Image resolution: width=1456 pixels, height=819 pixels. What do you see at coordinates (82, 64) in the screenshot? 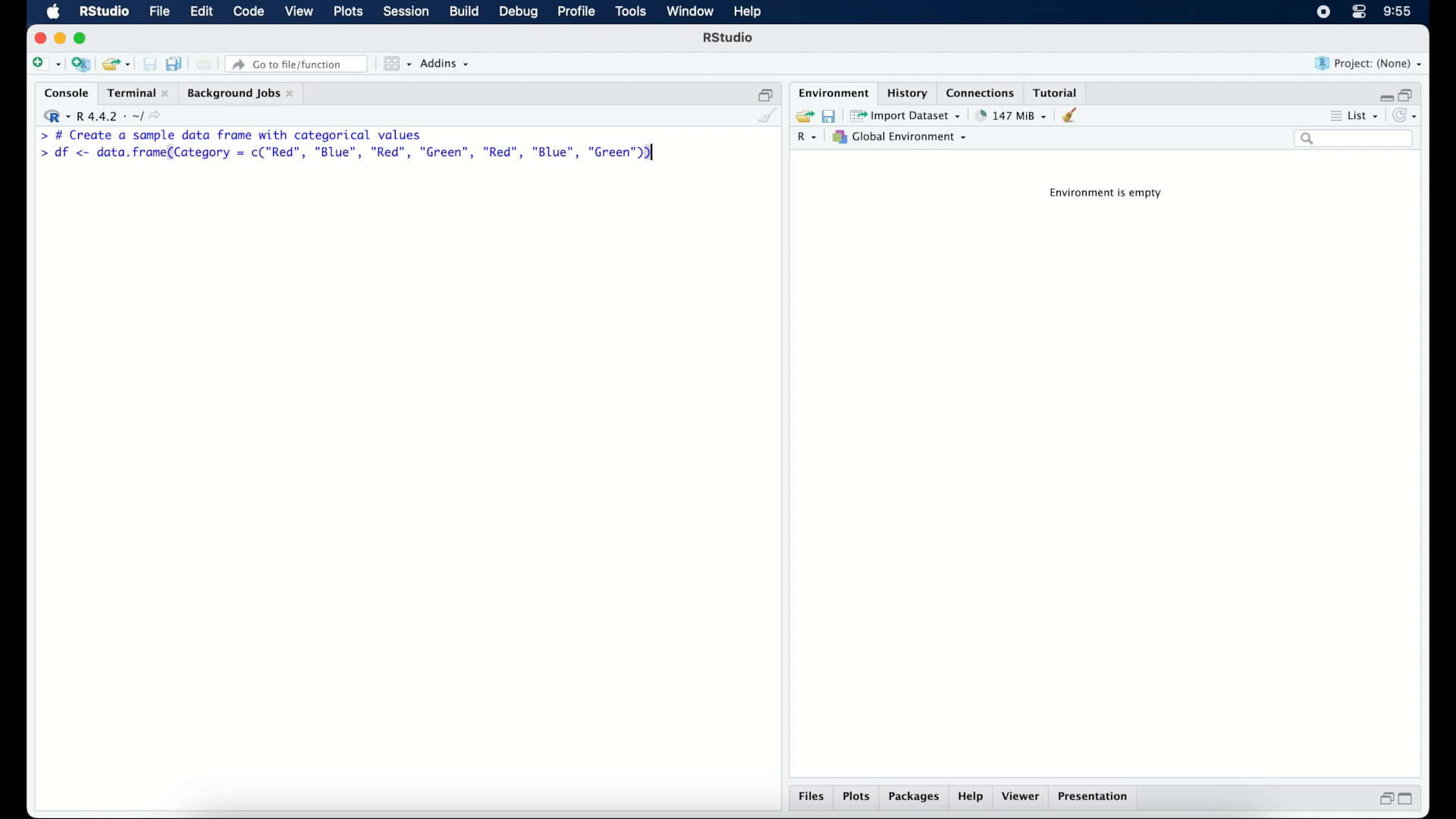
I see `create a project` at bounding box center [82, 64].